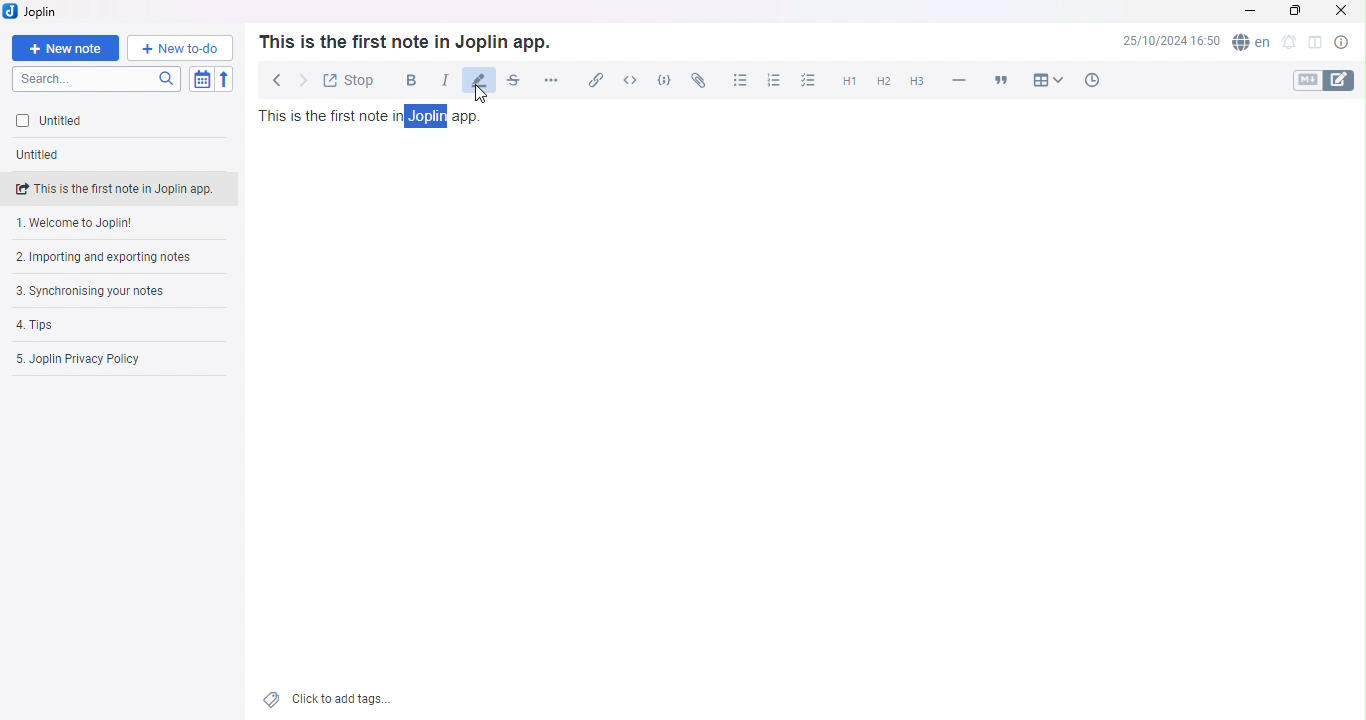 Image resolution: width=1366 pixels, height=720 pixels. What do you see at coordinates (125, 187) in the screenshot?
I see `note` at bounding box center [125, 187].